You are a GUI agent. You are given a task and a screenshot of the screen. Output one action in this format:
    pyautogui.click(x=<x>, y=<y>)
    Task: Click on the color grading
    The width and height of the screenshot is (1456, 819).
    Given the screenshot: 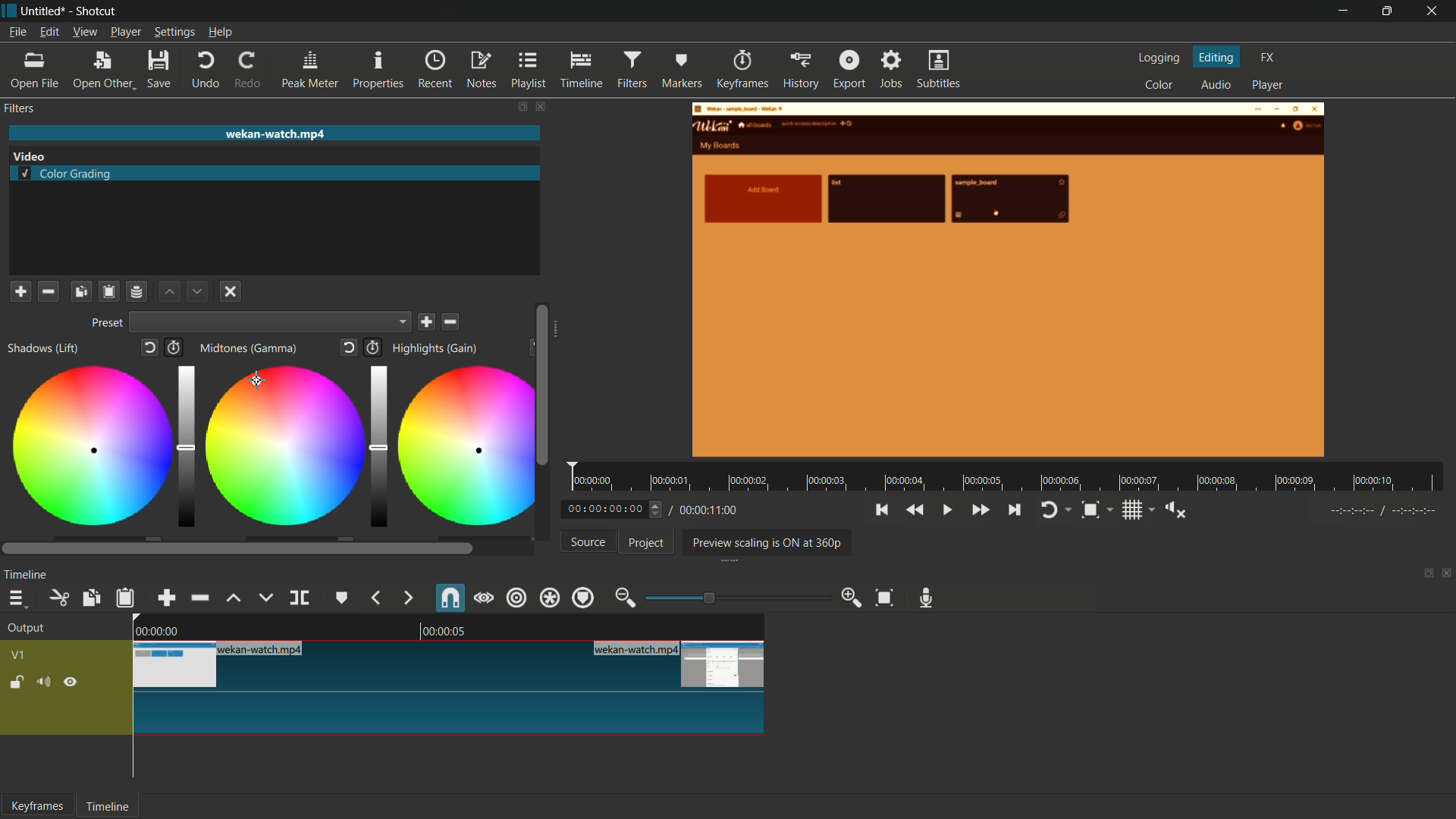 What is the action you would take?
    pyautogui.click(x=68, y=175)
    